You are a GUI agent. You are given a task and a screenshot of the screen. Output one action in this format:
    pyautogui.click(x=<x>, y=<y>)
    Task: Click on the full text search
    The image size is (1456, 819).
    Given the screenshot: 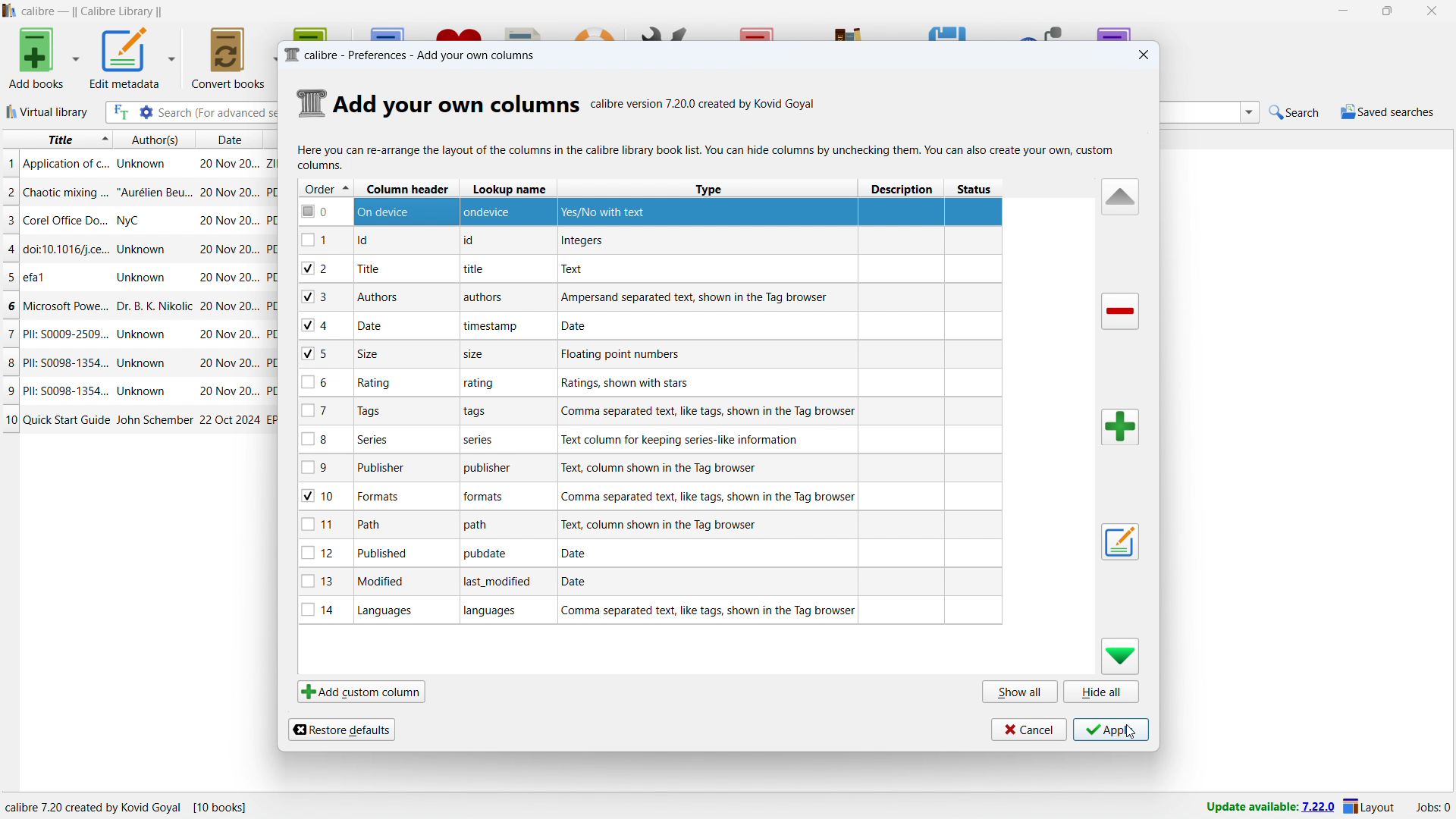 What is the action you would take?
    pyautogui.click(x=118, y=112)
    